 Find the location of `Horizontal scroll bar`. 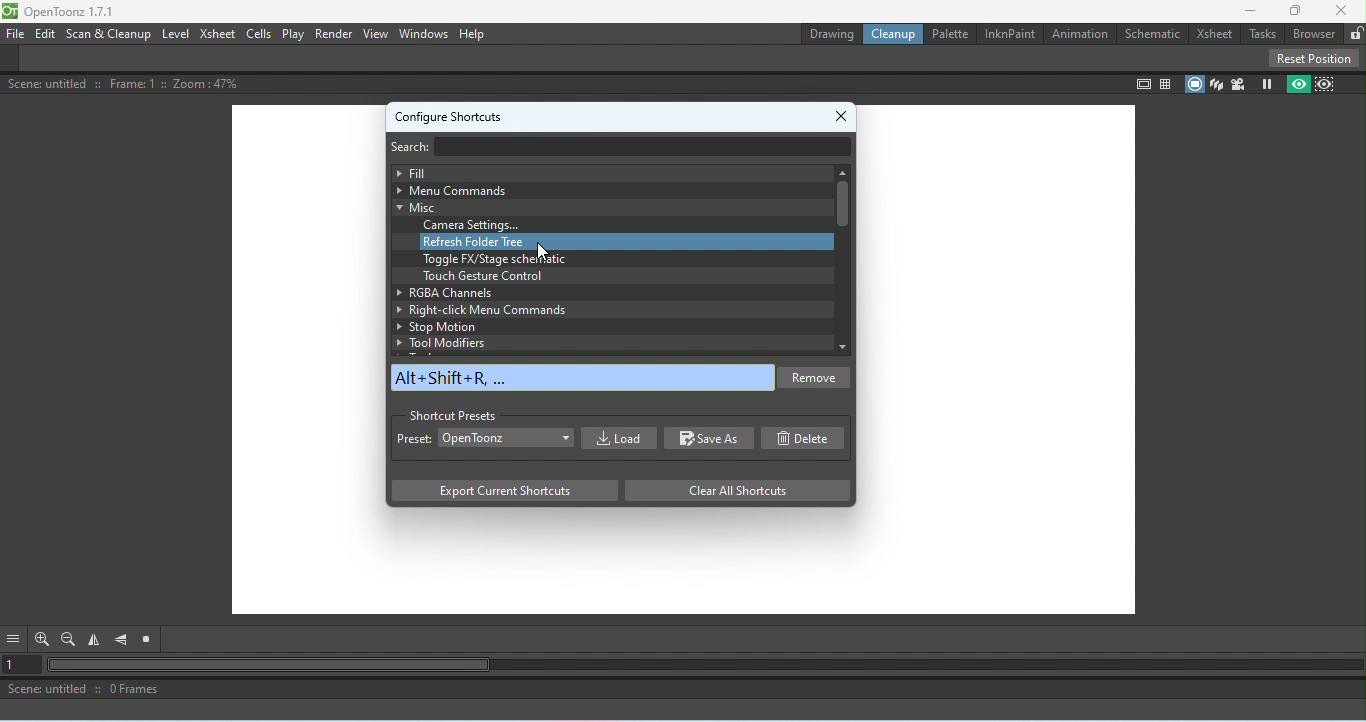

Horizontal scroll bar is located at coordinates (705, 666).